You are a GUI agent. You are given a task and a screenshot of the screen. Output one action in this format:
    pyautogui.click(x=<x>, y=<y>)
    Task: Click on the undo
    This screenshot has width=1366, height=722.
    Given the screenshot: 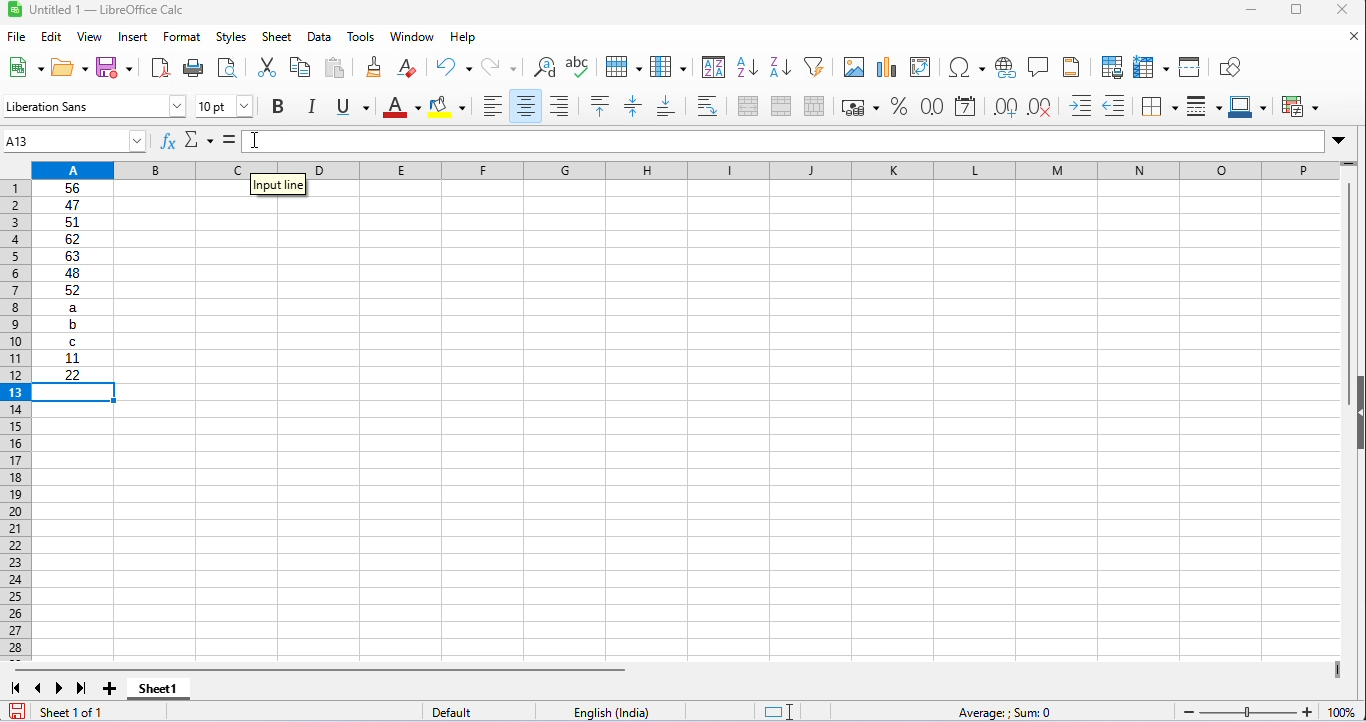 What is the action you would take?
    pyautogui.click(x=456, y=67)
    